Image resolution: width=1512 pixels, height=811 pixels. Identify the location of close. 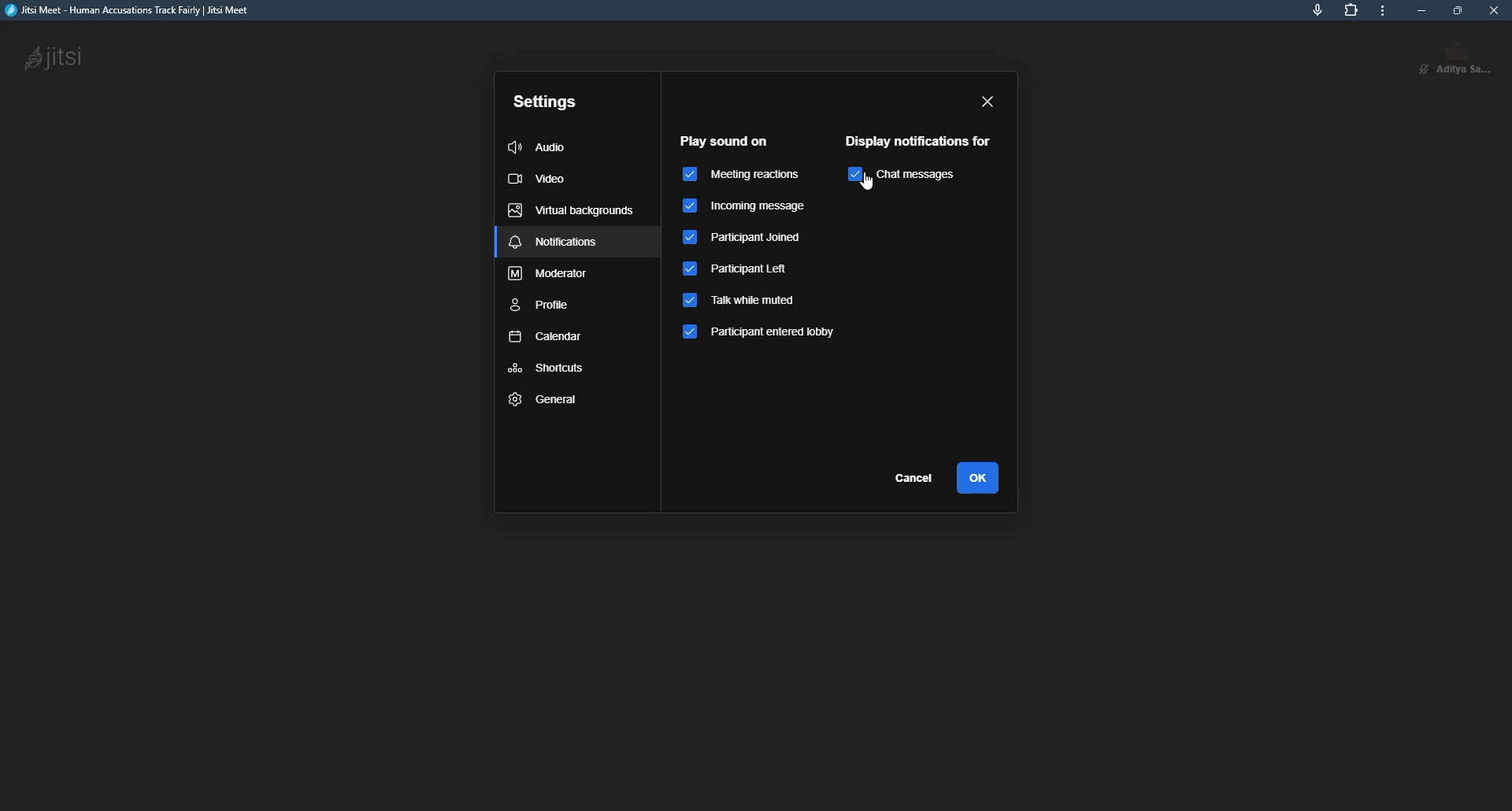
(1494, 13).